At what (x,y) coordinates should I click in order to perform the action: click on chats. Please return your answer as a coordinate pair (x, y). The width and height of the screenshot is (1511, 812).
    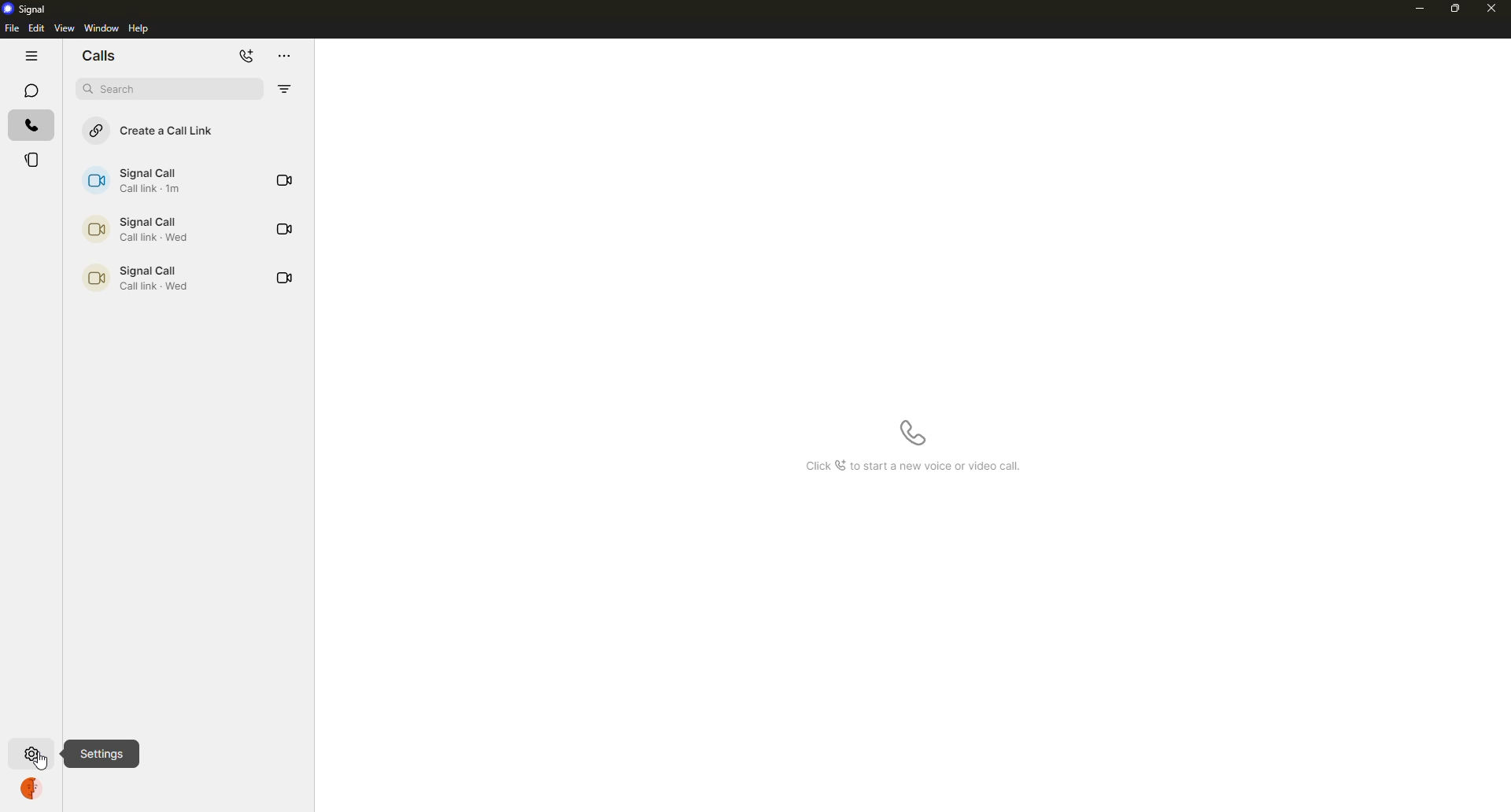
    Looking at the image, I should click on (29, 90).